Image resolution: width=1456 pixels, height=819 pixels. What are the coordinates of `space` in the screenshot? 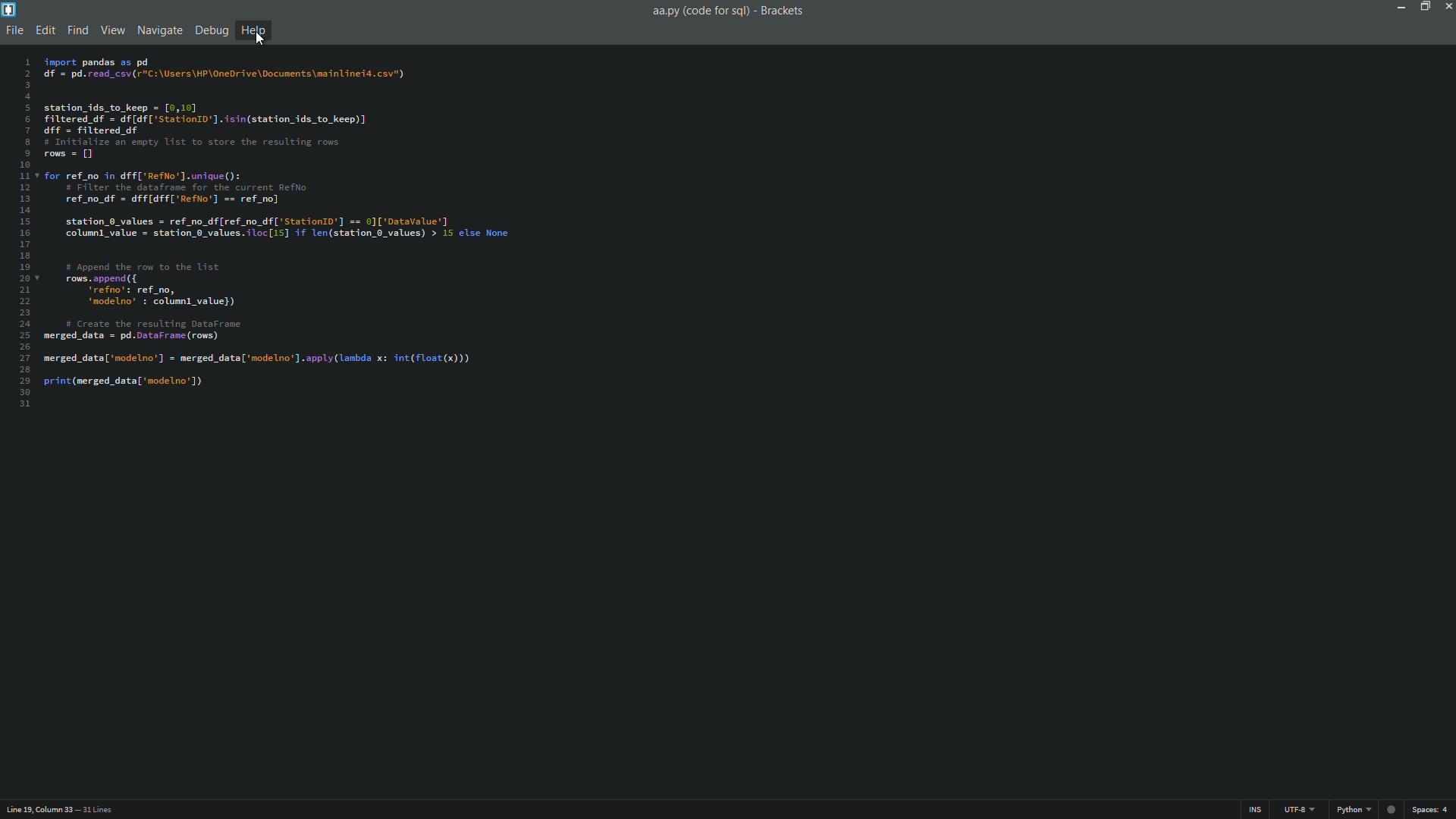 It's located at (1432, 811).